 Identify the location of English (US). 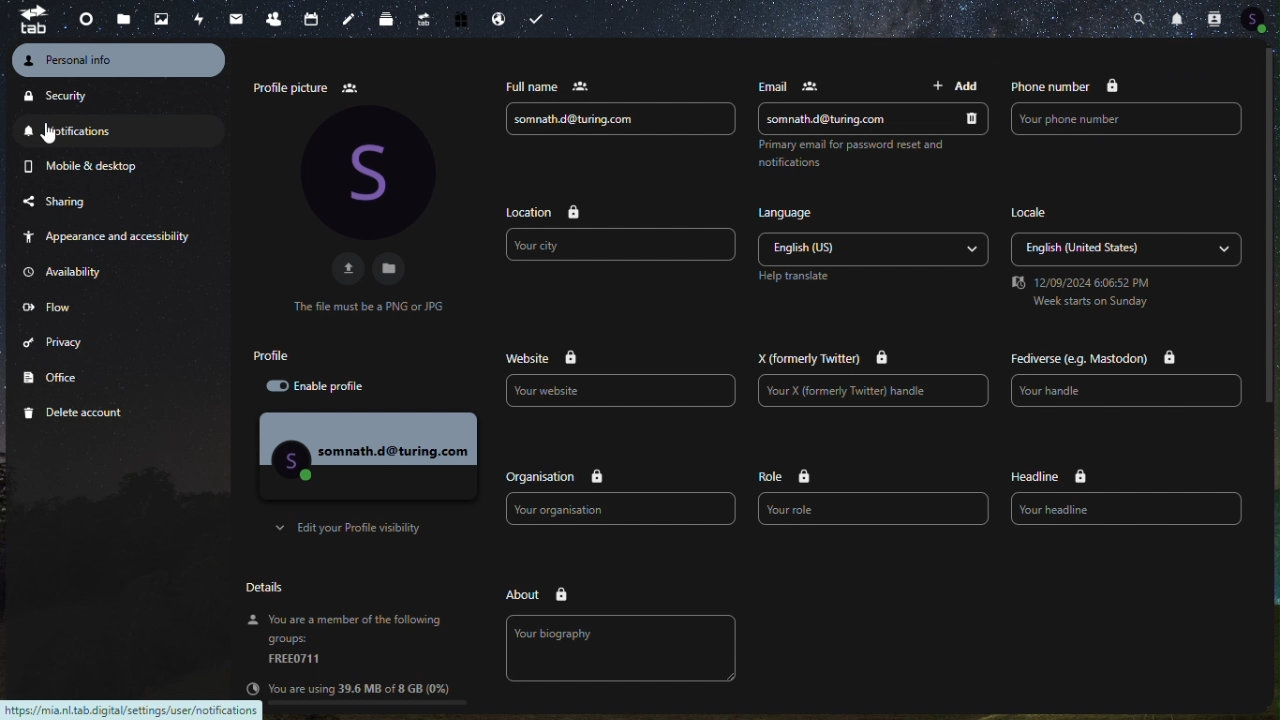
(874, 247).